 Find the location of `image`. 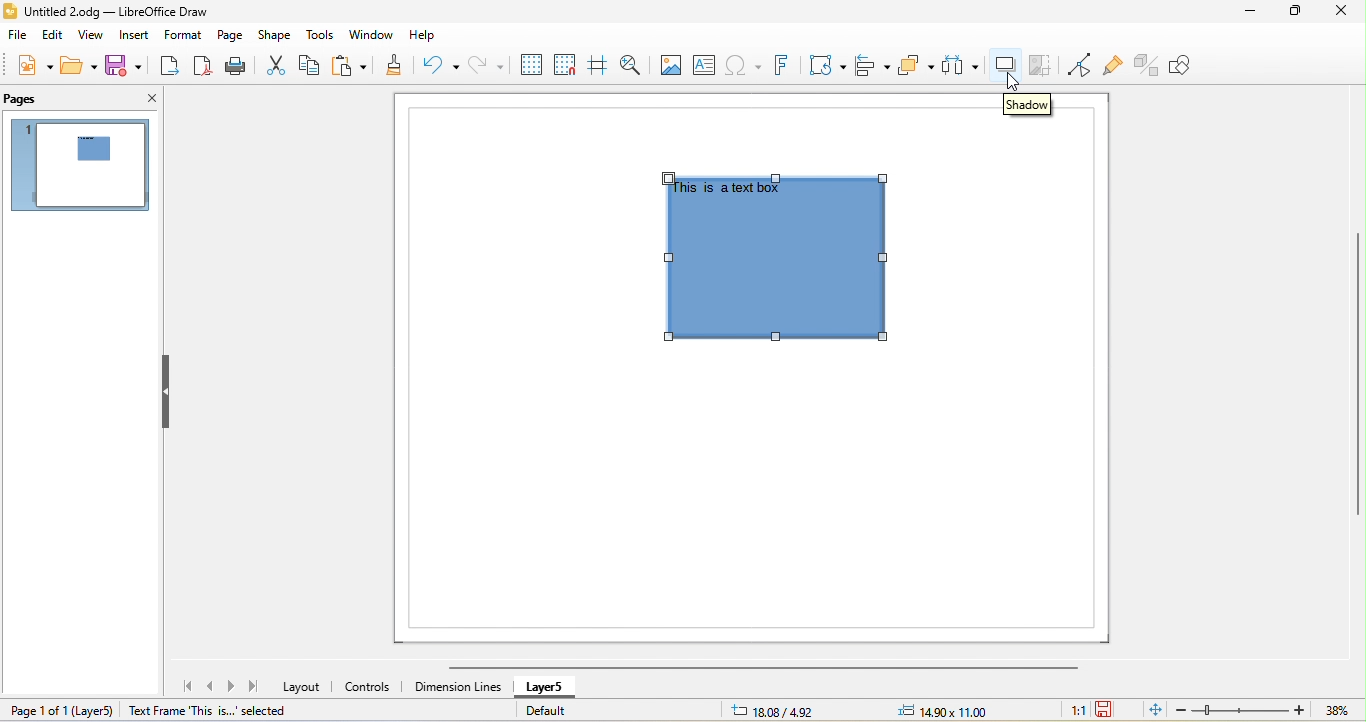

image is located at coordinates (675, 64).